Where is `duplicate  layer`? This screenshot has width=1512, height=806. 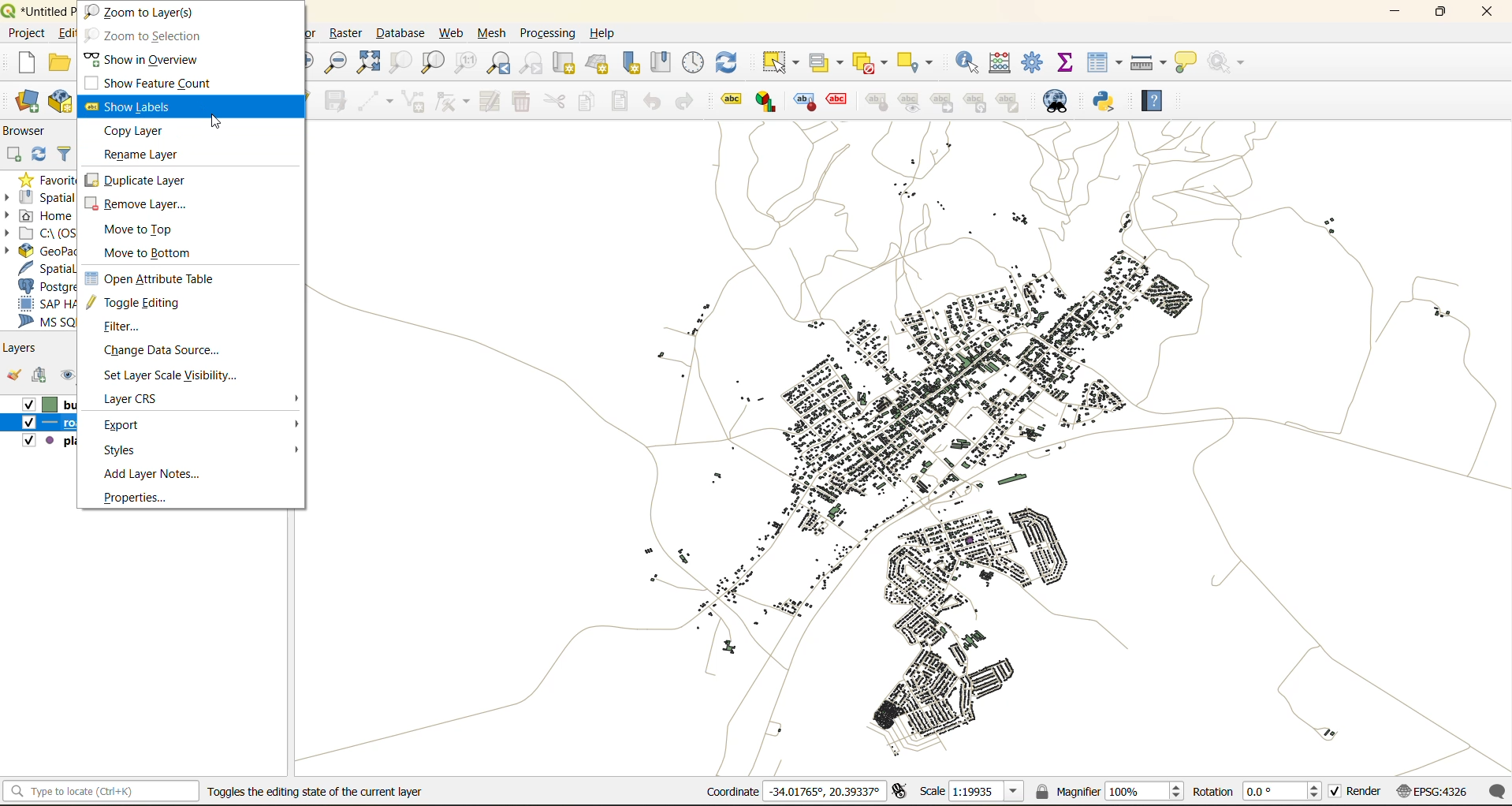
duplicate  layer is located at coordinates (136, 178).